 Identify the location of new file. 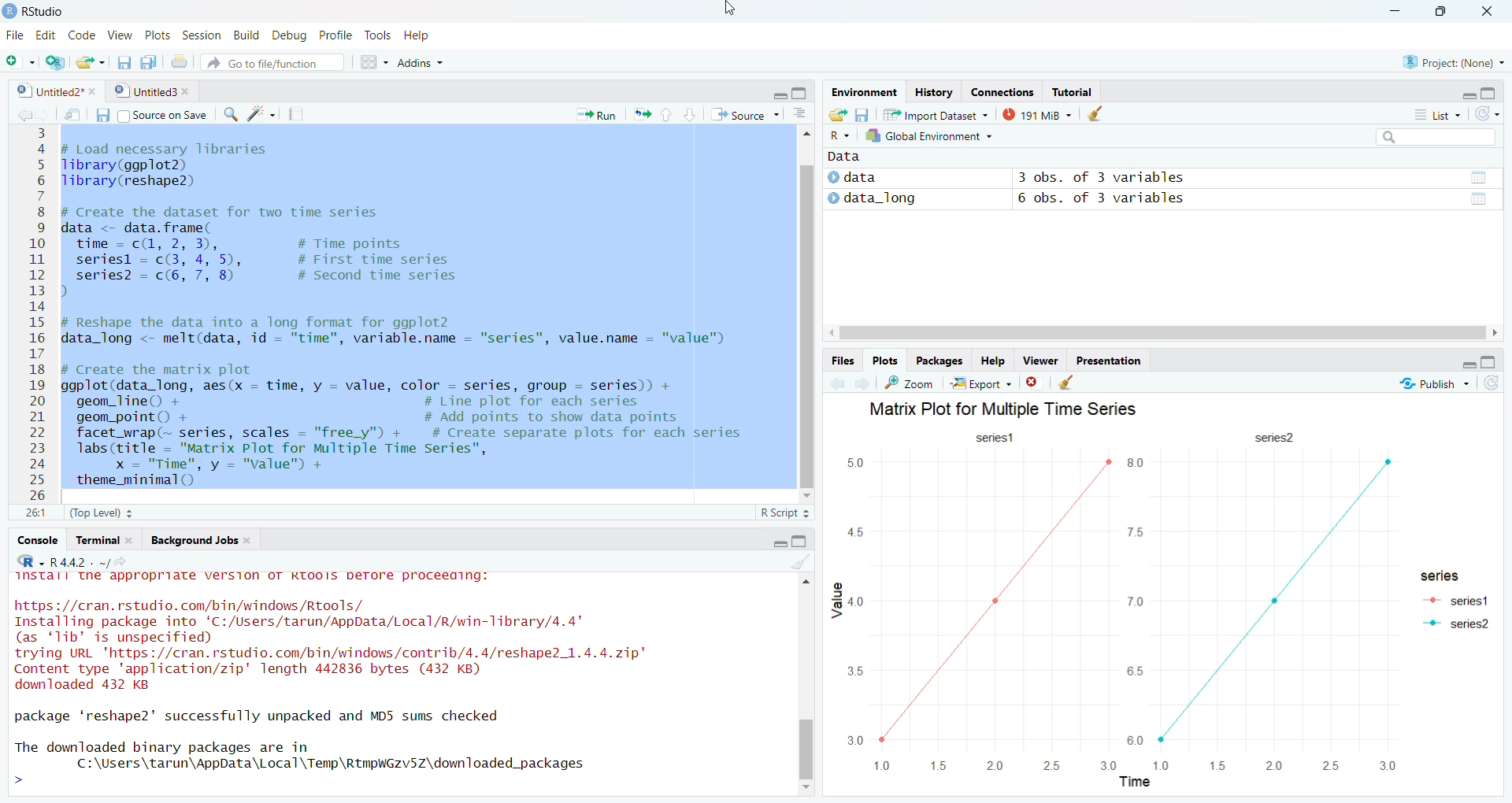
(20, 62).